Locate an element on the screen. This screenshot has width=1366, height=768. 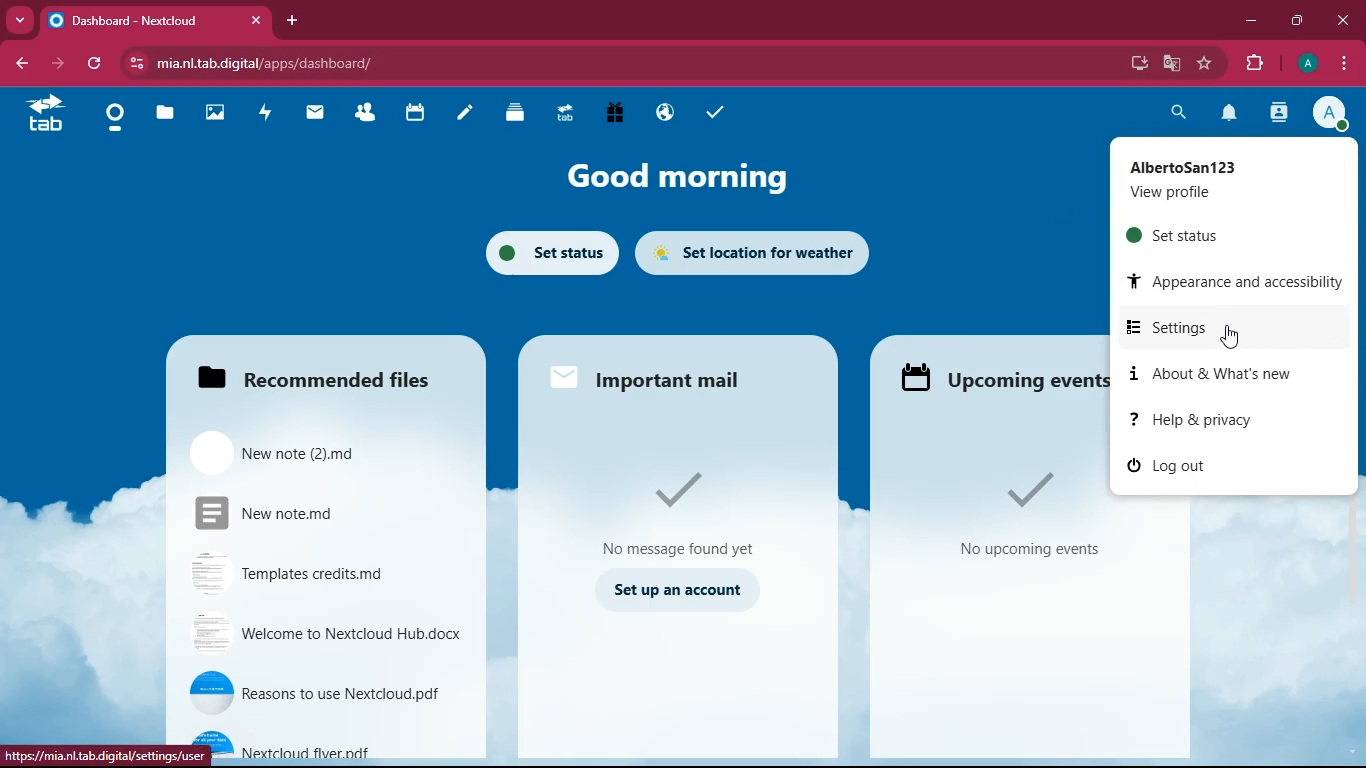
Upcoming events is located at coordinates (1002, 377).